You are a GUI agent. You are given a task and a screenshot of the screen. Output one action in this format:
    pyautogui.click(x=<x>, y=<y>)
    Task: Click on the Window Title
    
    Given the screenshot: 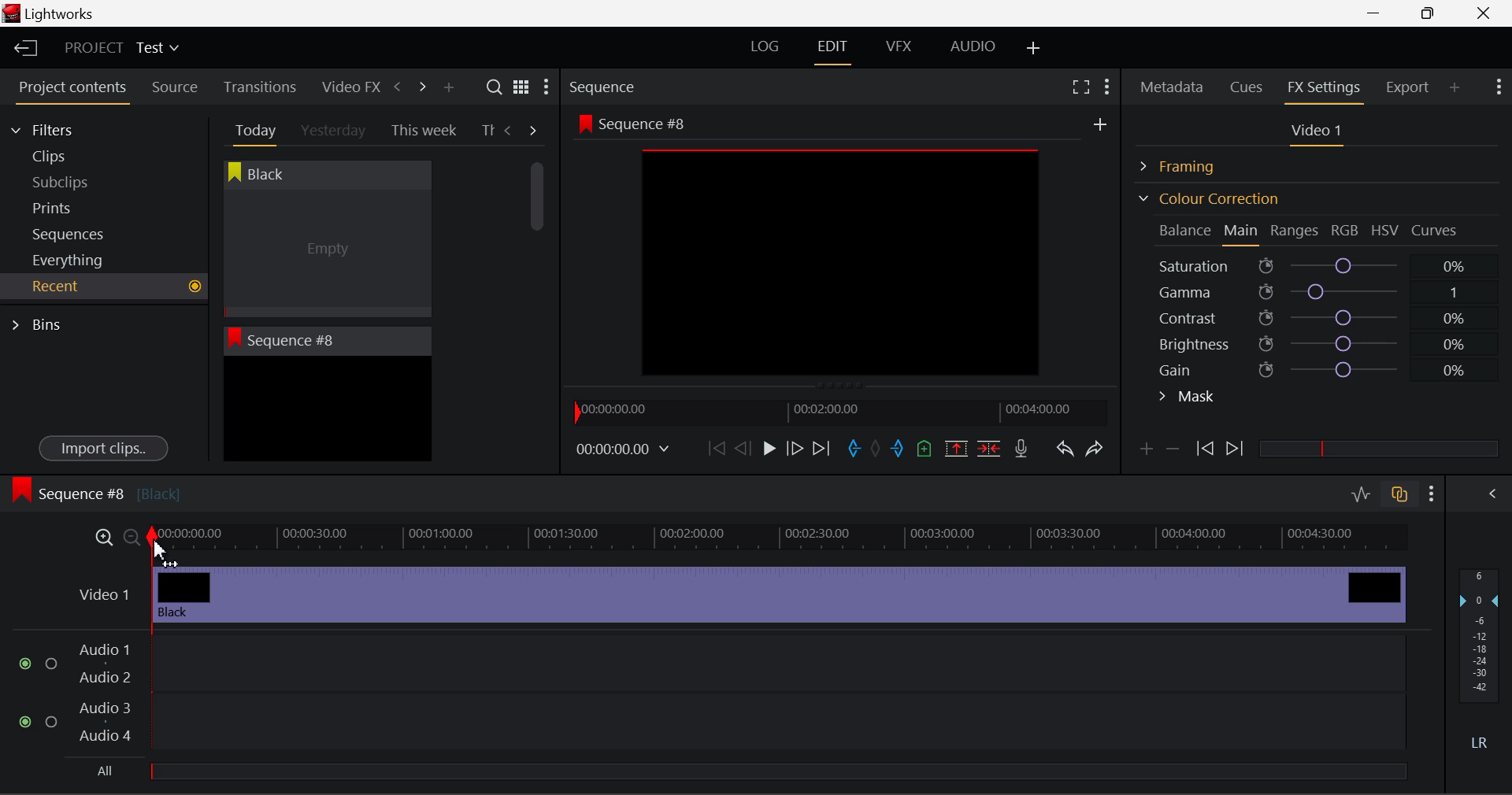 What is the action you would take?
    pyautogui.click(x=49, y=15)
    